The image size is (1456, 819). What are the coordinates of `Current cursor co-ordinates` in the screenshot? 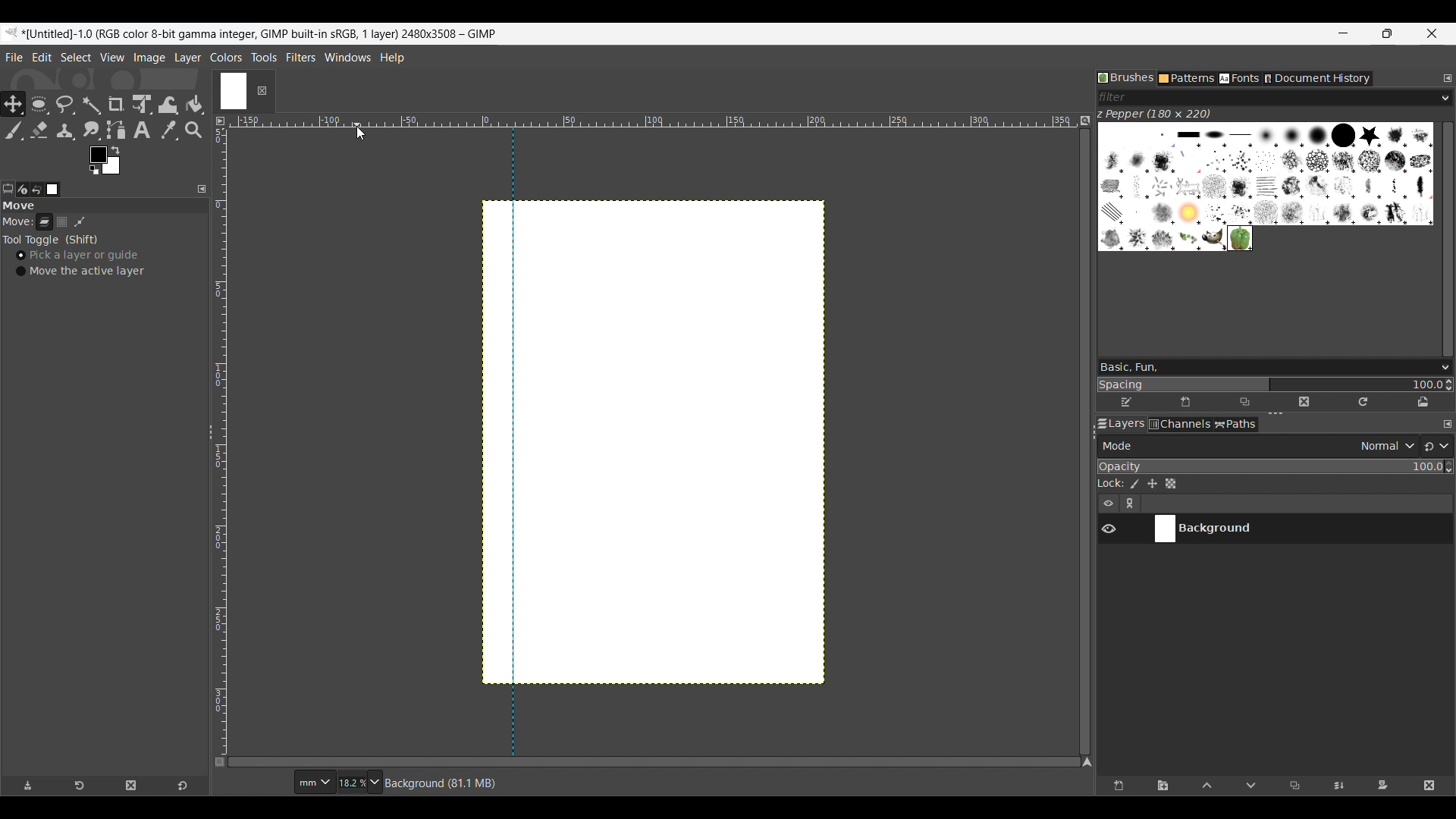 It's located at (253, 783).